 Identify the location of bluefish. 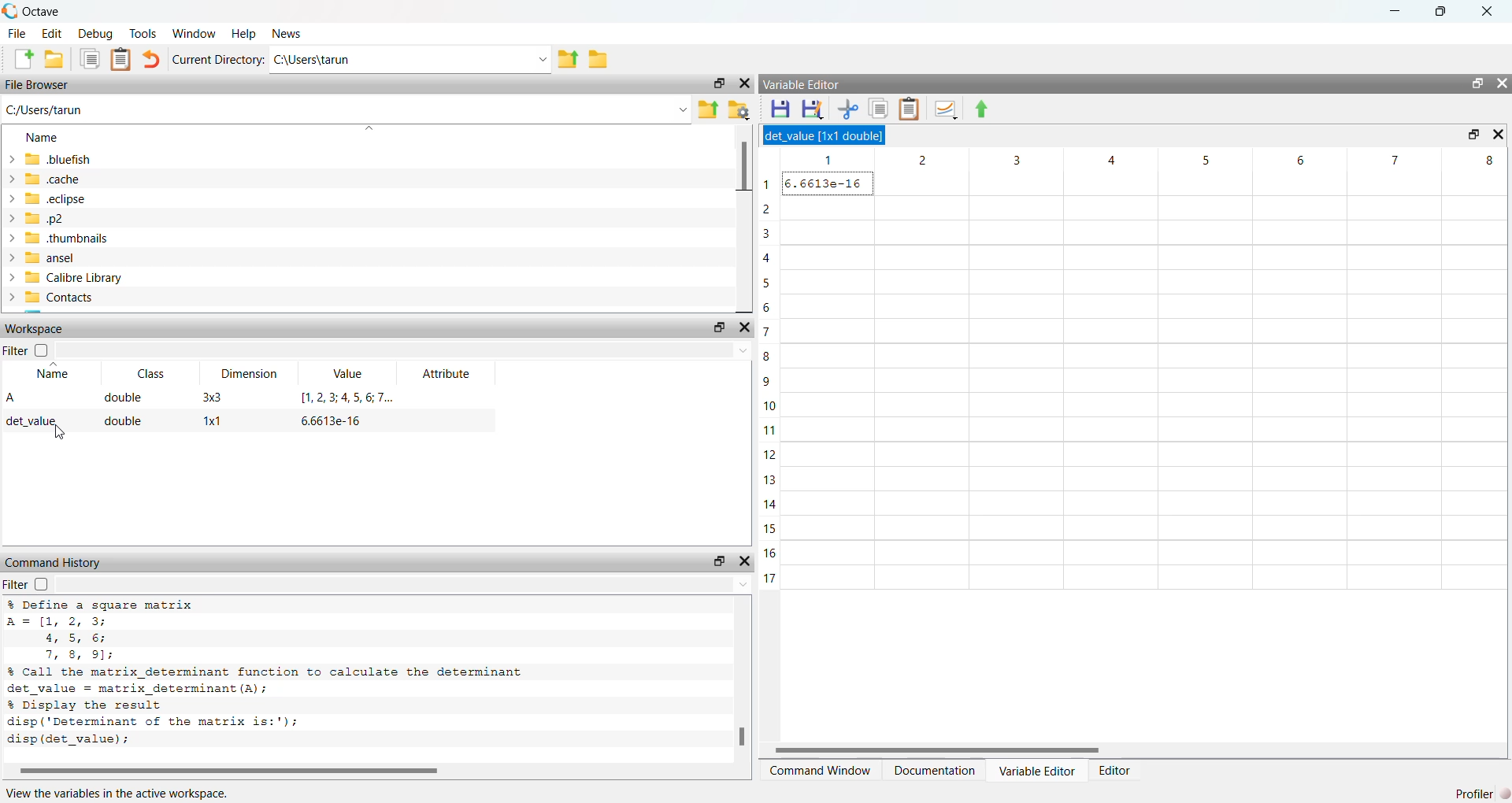
(51, 160).